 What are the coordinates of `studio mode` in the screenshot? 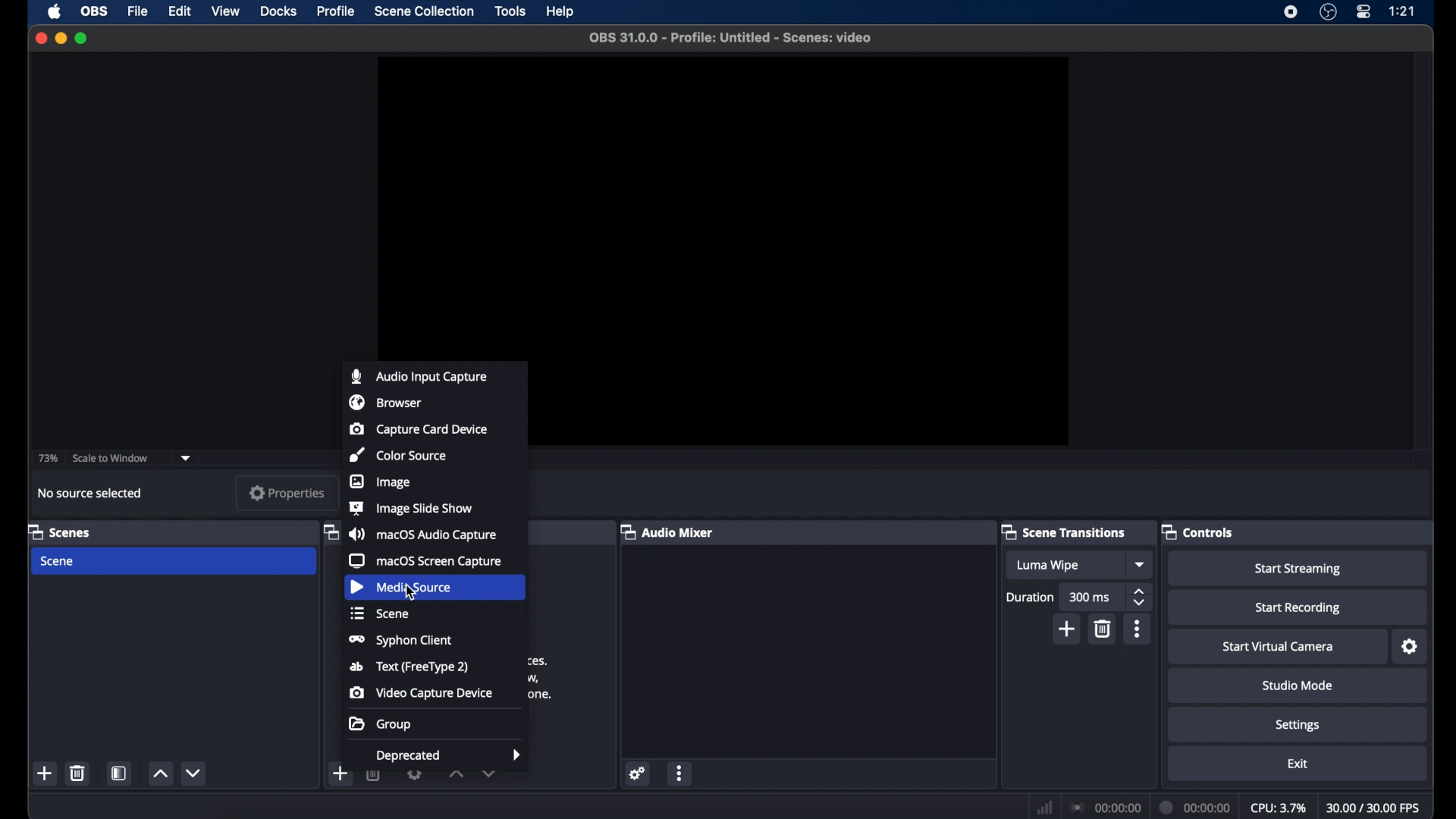 It's located at (1295, 686).